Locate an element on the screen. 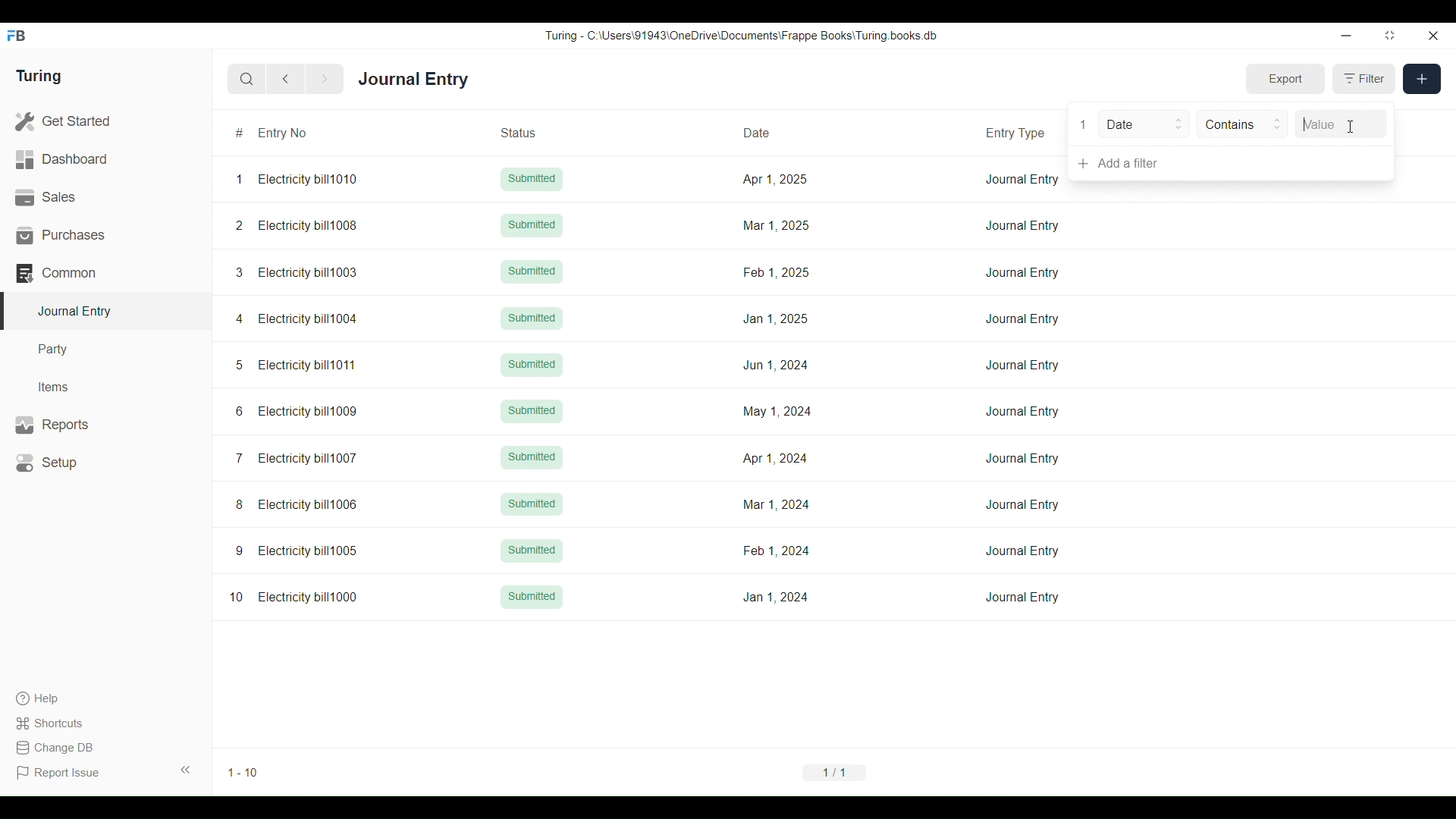  Date is located at coordinates (775, 131).